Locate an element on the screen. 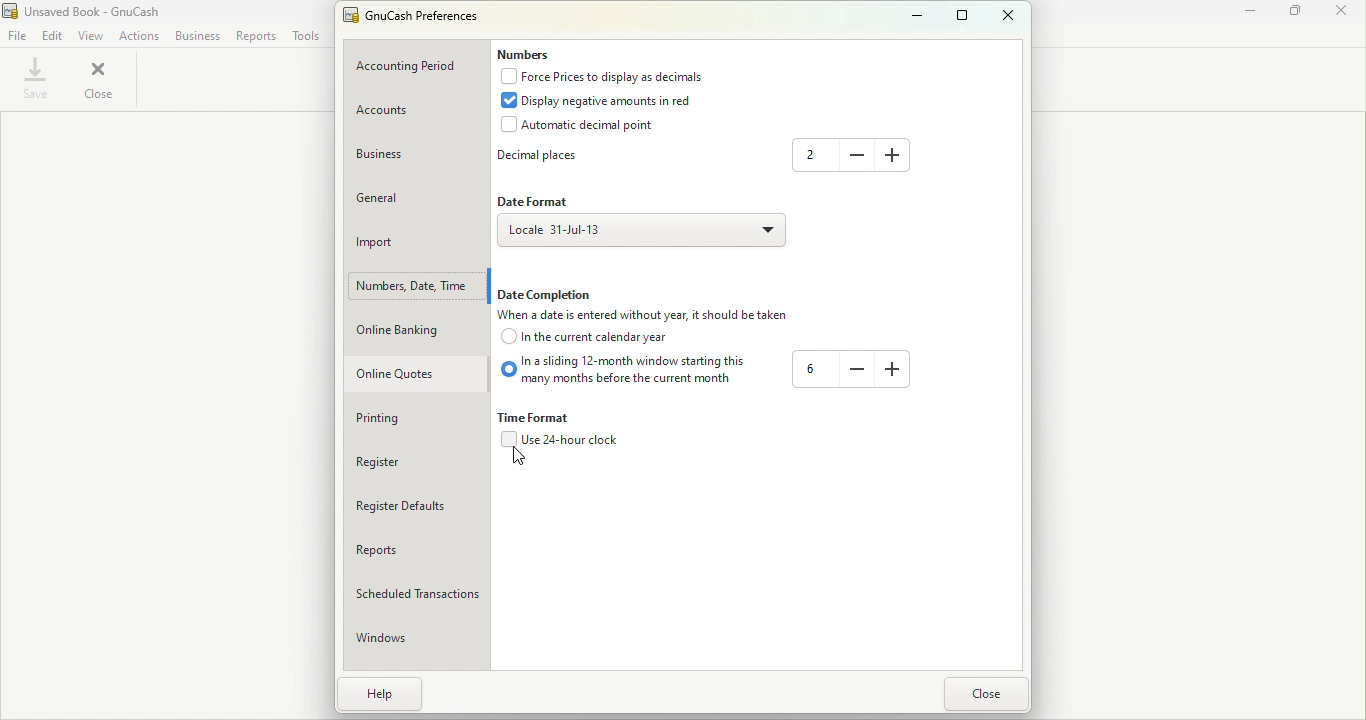 The height and width of the screenshot is (720, 1366). Business is located at coordinates (198, 37).